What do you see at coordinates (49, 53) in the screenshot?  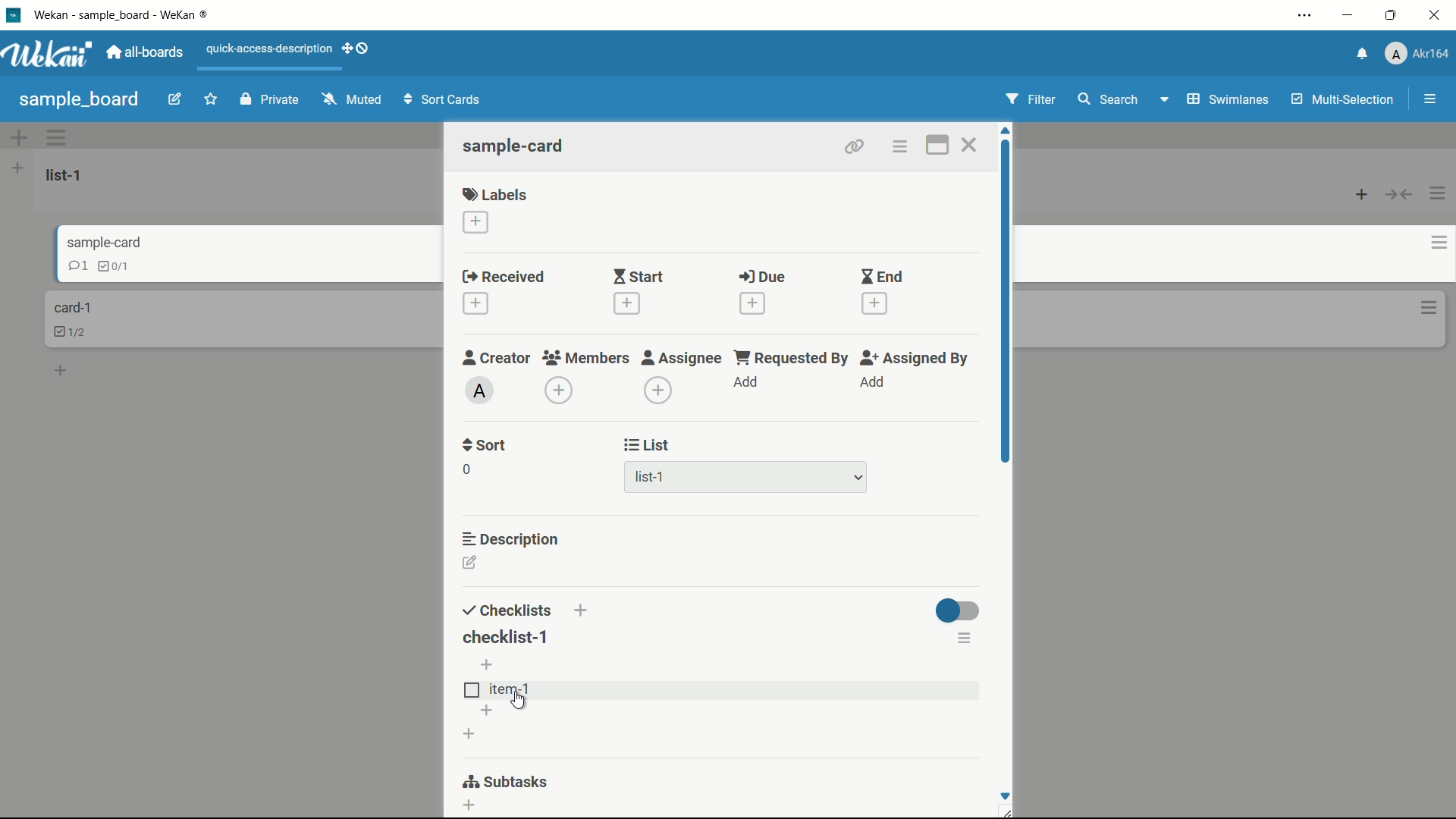 I see `app logo` at bounding box center [49, 53].